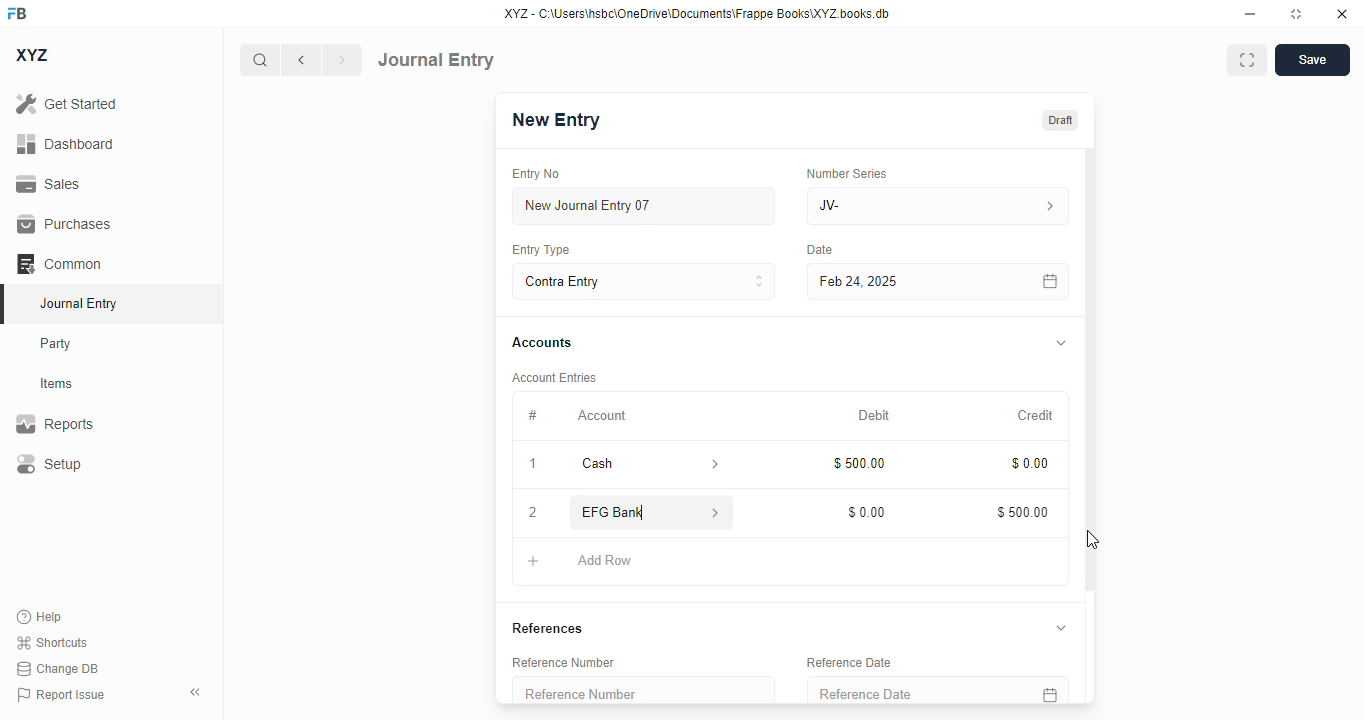 The height and width of the screenshot is (720, 1364). I want to click on debit, so click(875, 415).